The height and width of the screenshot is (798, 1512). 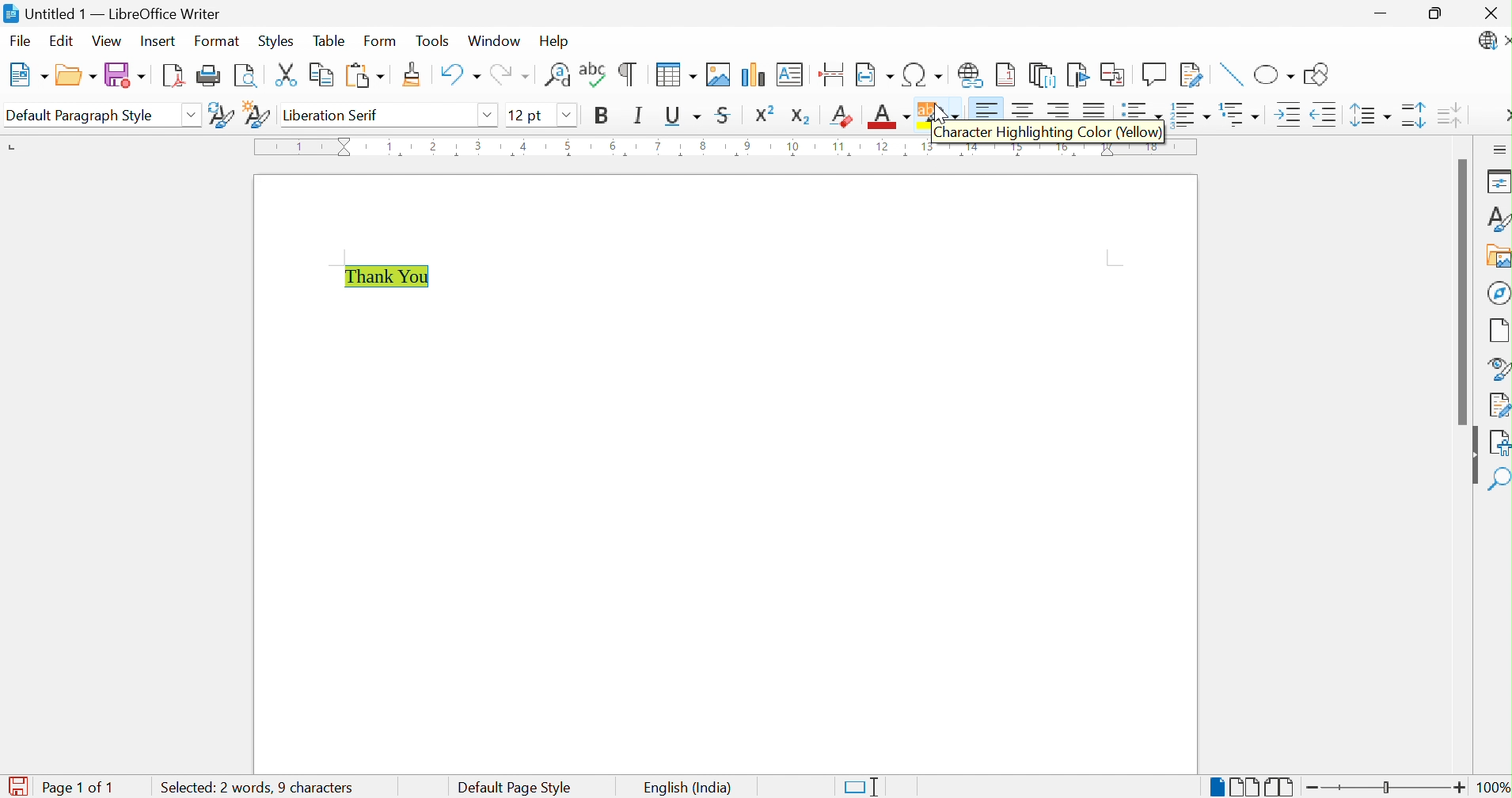 I want to click on Help, so click(x=553, y=42).